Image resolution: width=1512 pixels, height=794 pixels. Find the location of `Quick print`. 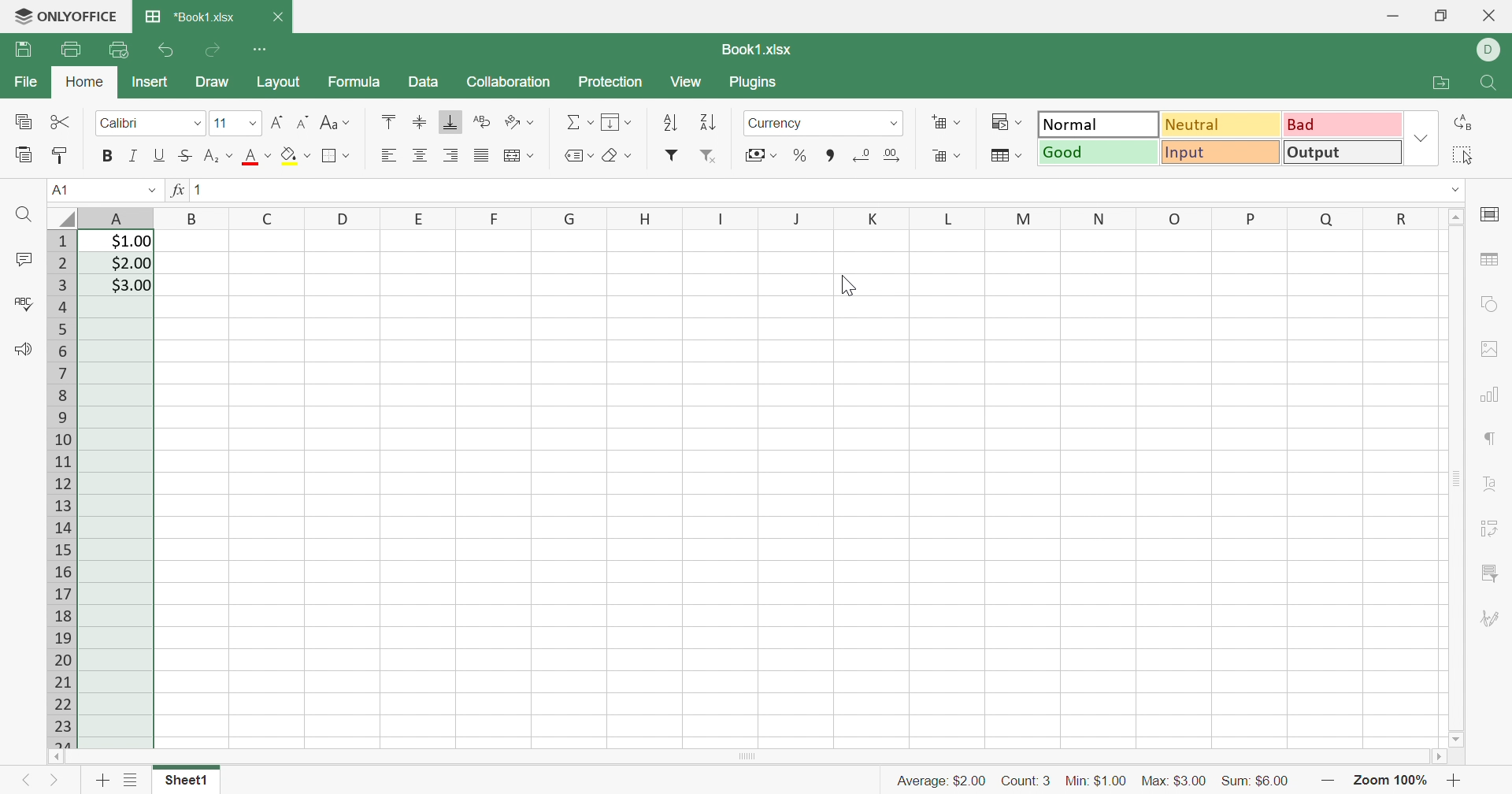

Quick print is located at coordinates (119, 49).